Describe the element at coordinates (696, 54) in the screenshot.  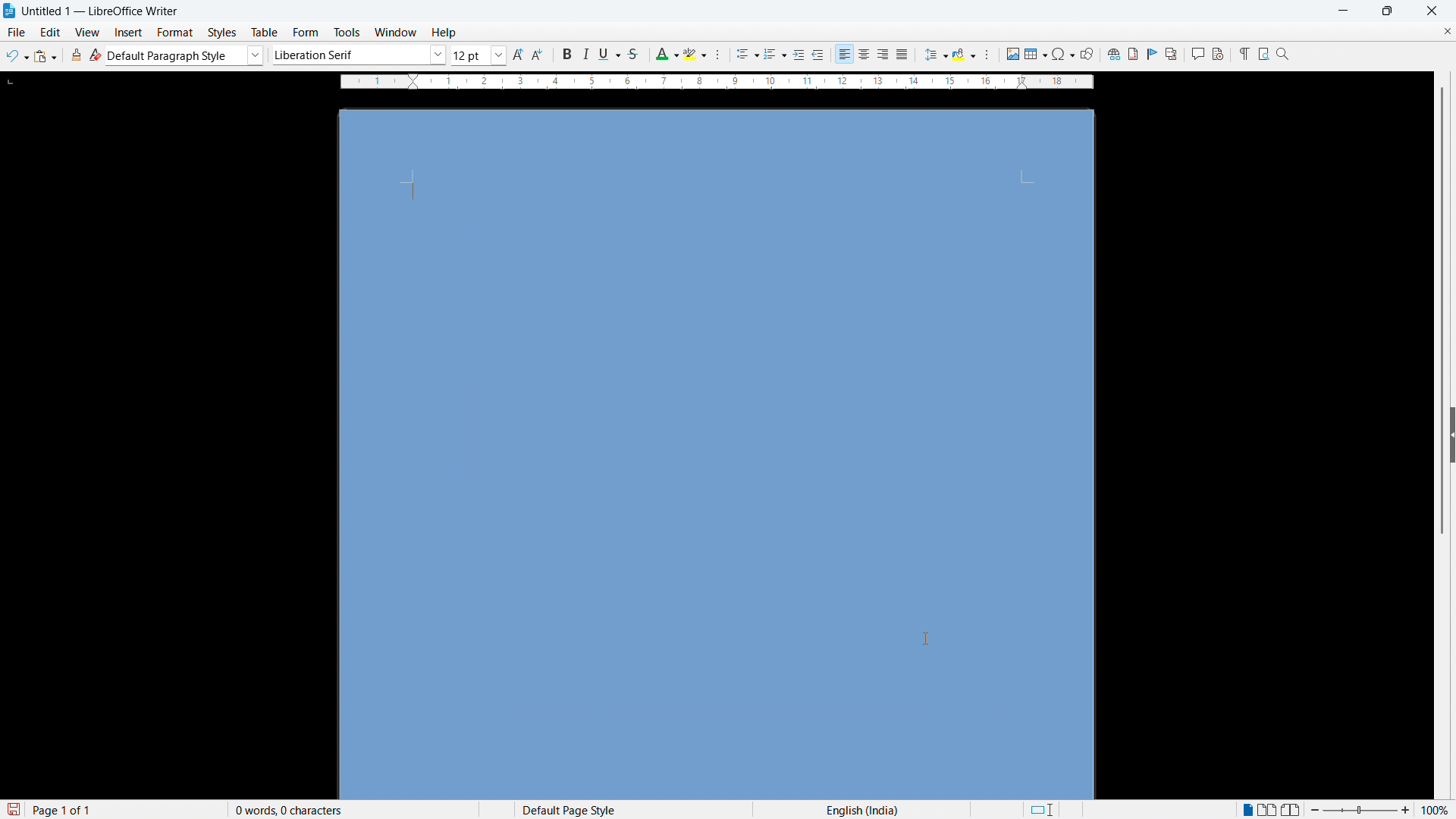
I see `Character highlighting colour ` at that location.